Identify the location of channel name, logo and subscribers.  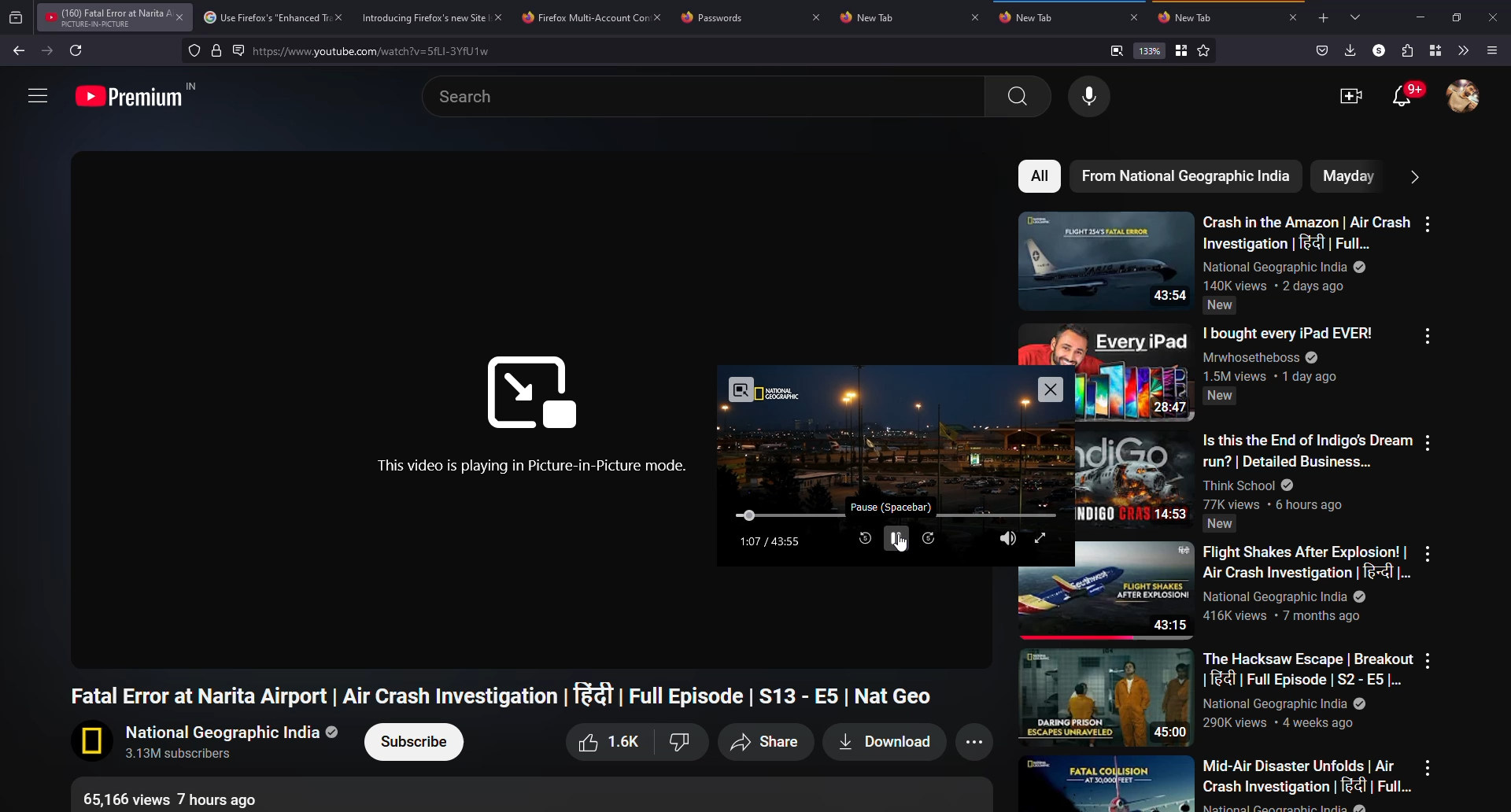
(208, 743).